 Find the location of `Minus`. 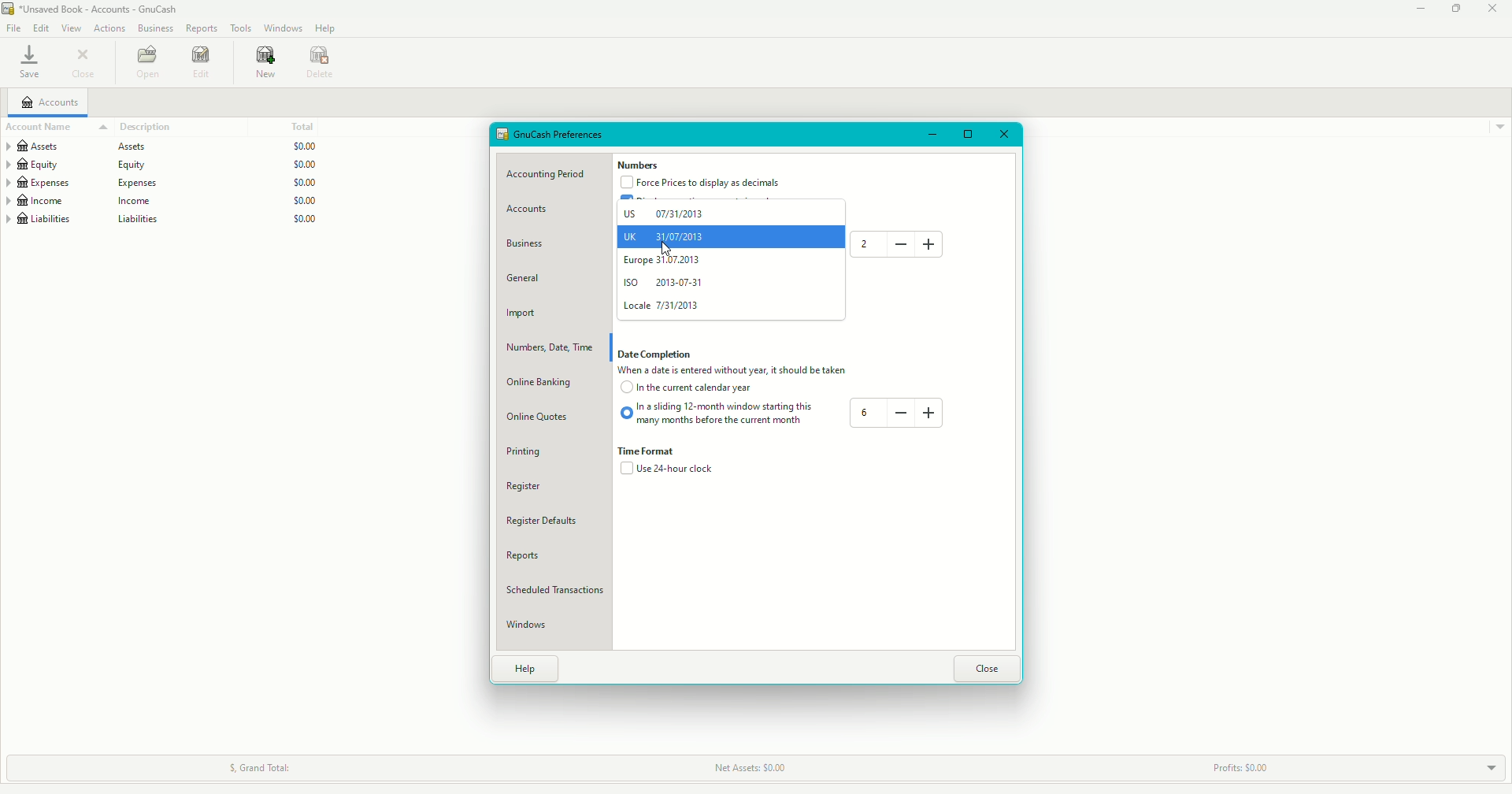

Minus is located at coordinates (901, 244).